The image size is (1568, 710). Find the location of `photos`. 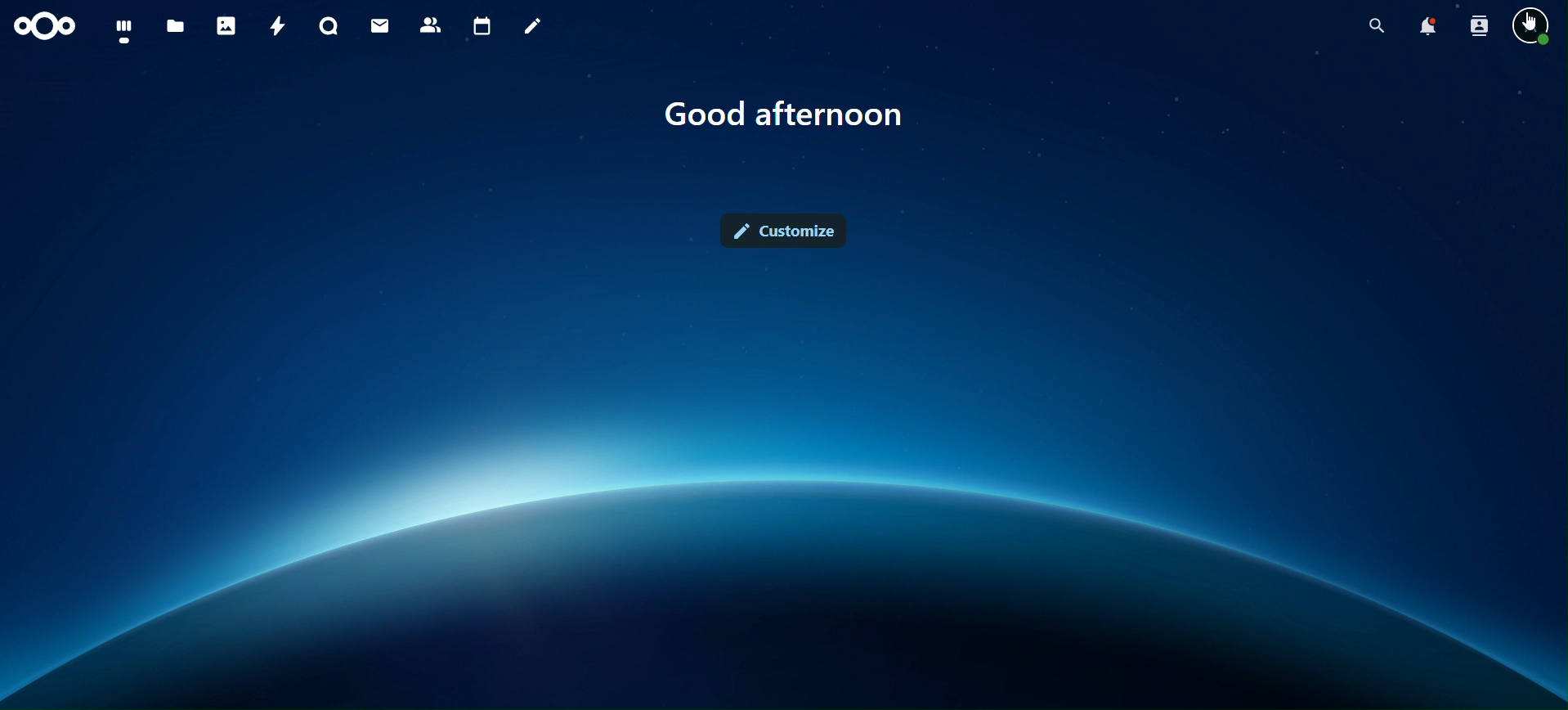

photos is located at coordinates (225, 28).